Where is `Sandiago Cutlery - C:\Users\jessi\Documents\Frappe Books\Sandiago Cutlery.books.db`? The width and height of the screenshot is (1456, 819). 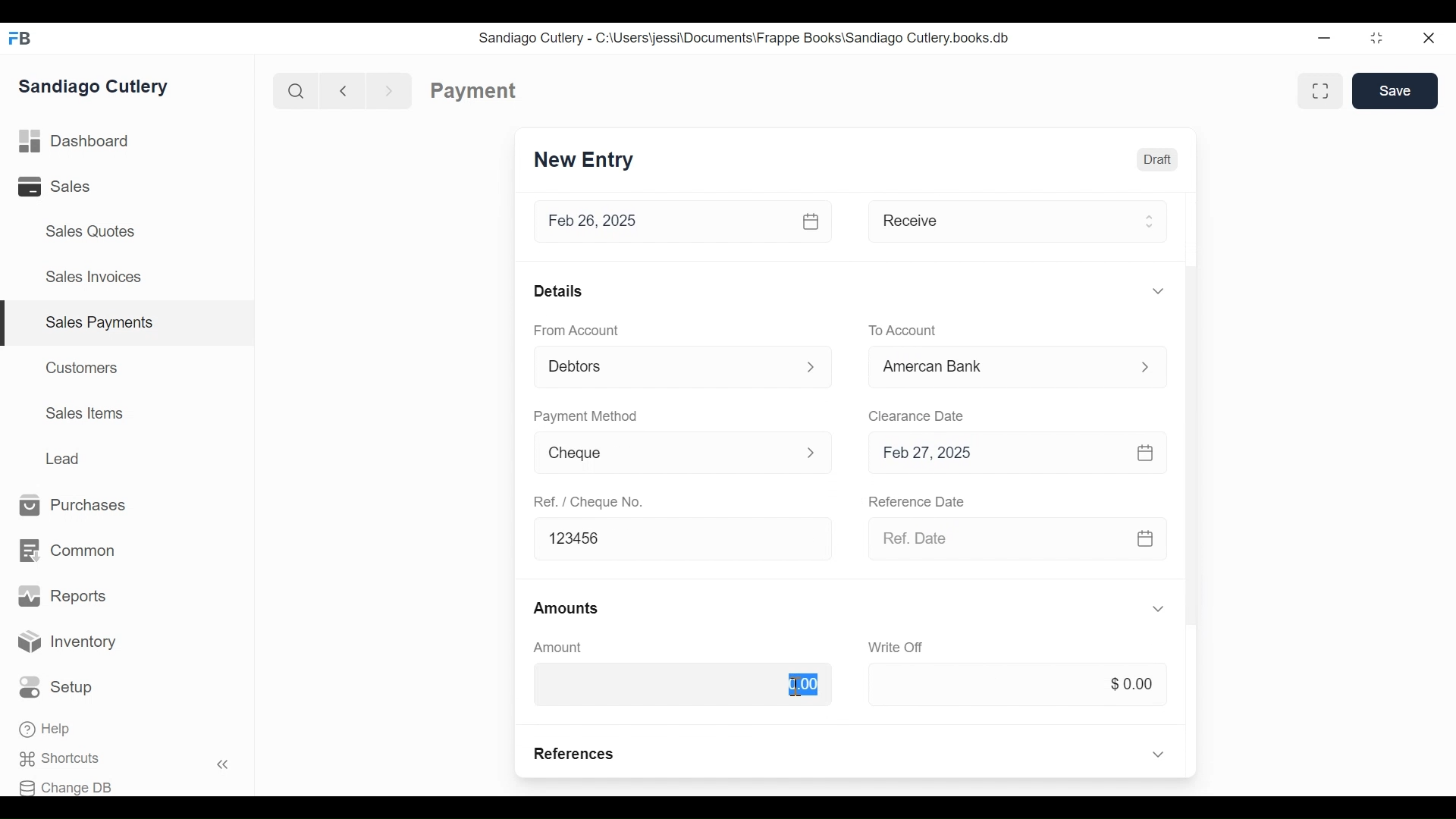
Sandiago Cutlery - C:\Users\jessi\Documents\Frappe Books\Sandiago Cutlery.books.db is located at coordinates (744, 37).